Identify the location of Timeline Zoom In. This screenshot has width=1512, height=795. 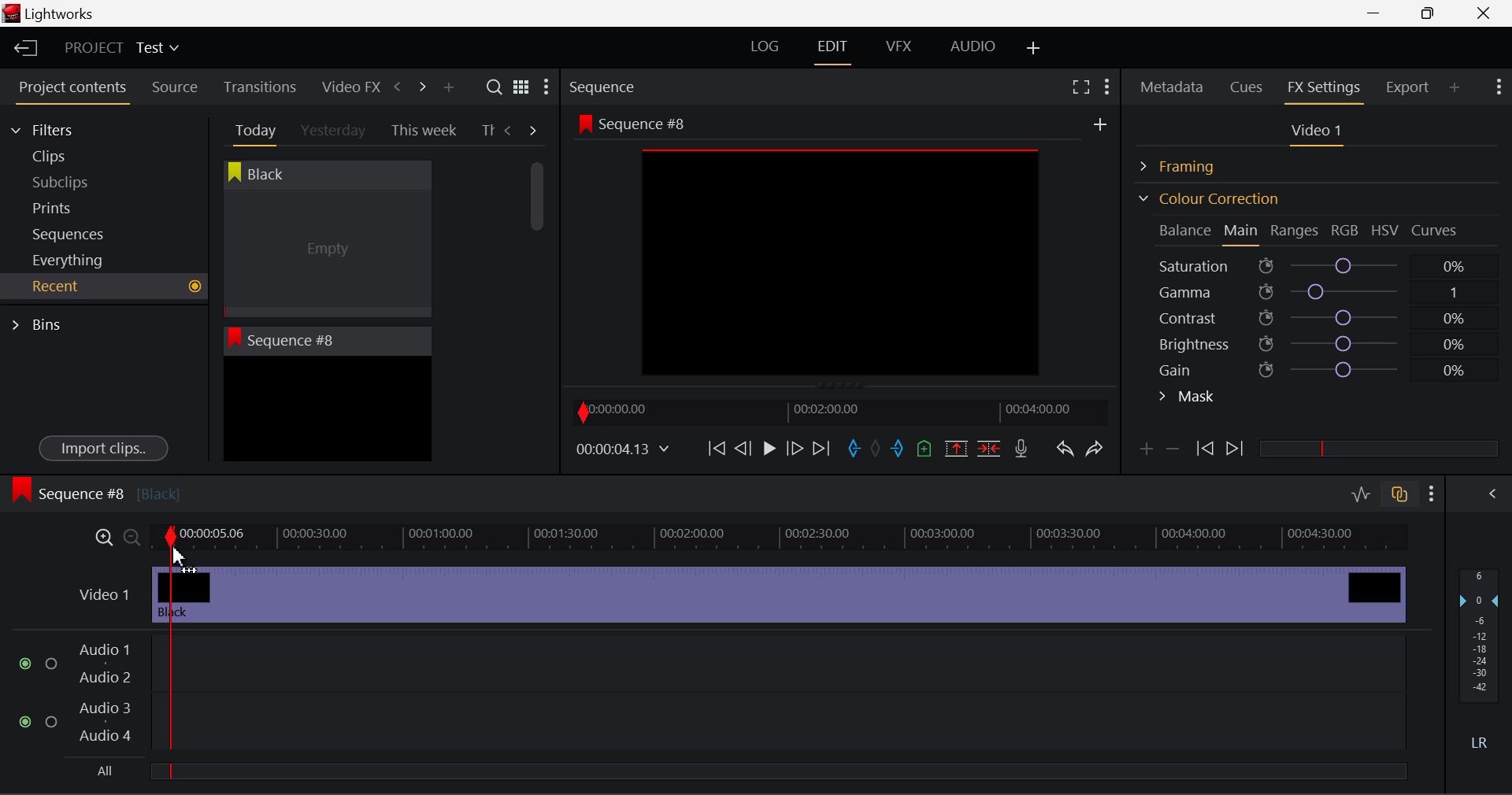
(101, 537).